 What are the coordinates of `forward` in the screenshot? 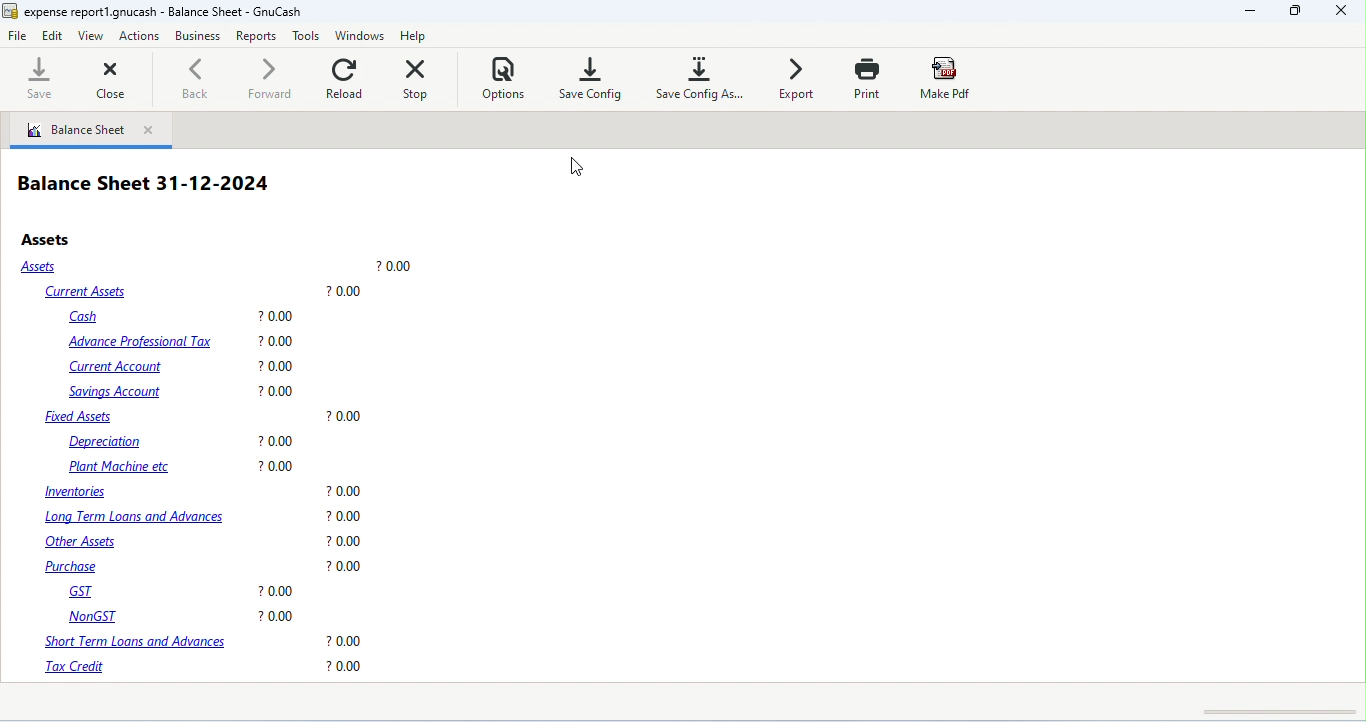 It's located at (272, 78).